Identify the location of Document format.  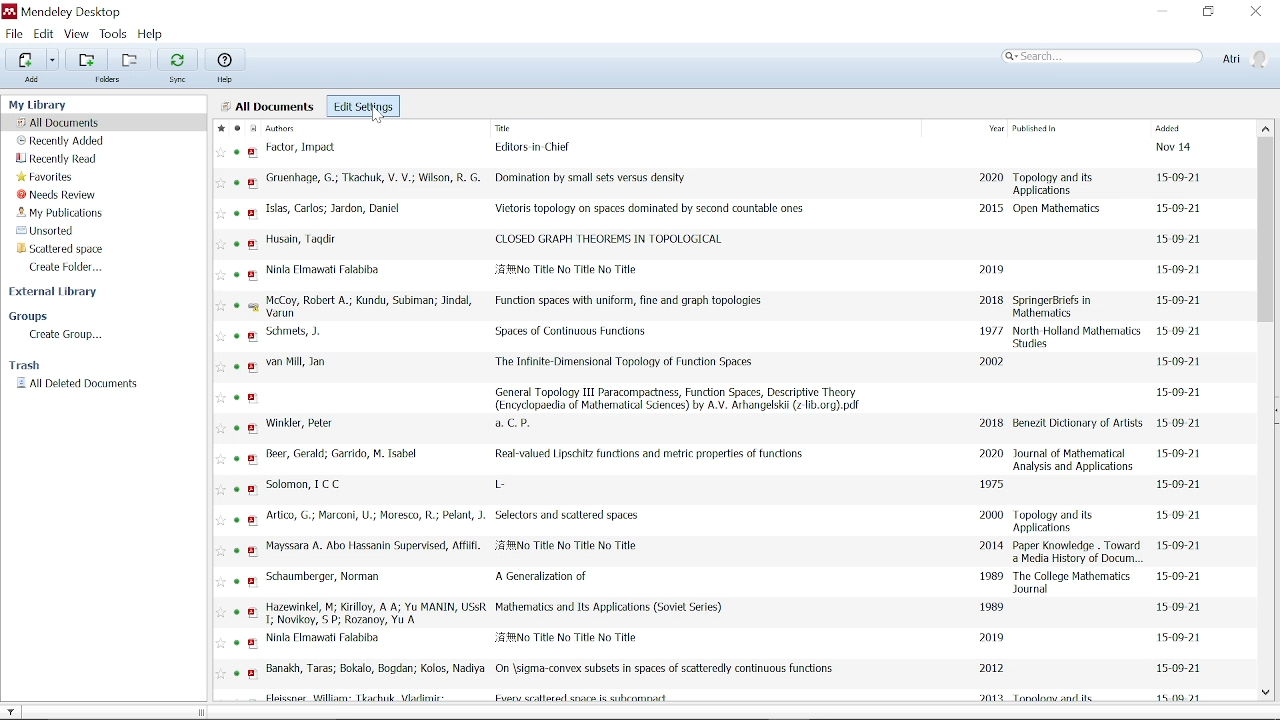
(255, 128).